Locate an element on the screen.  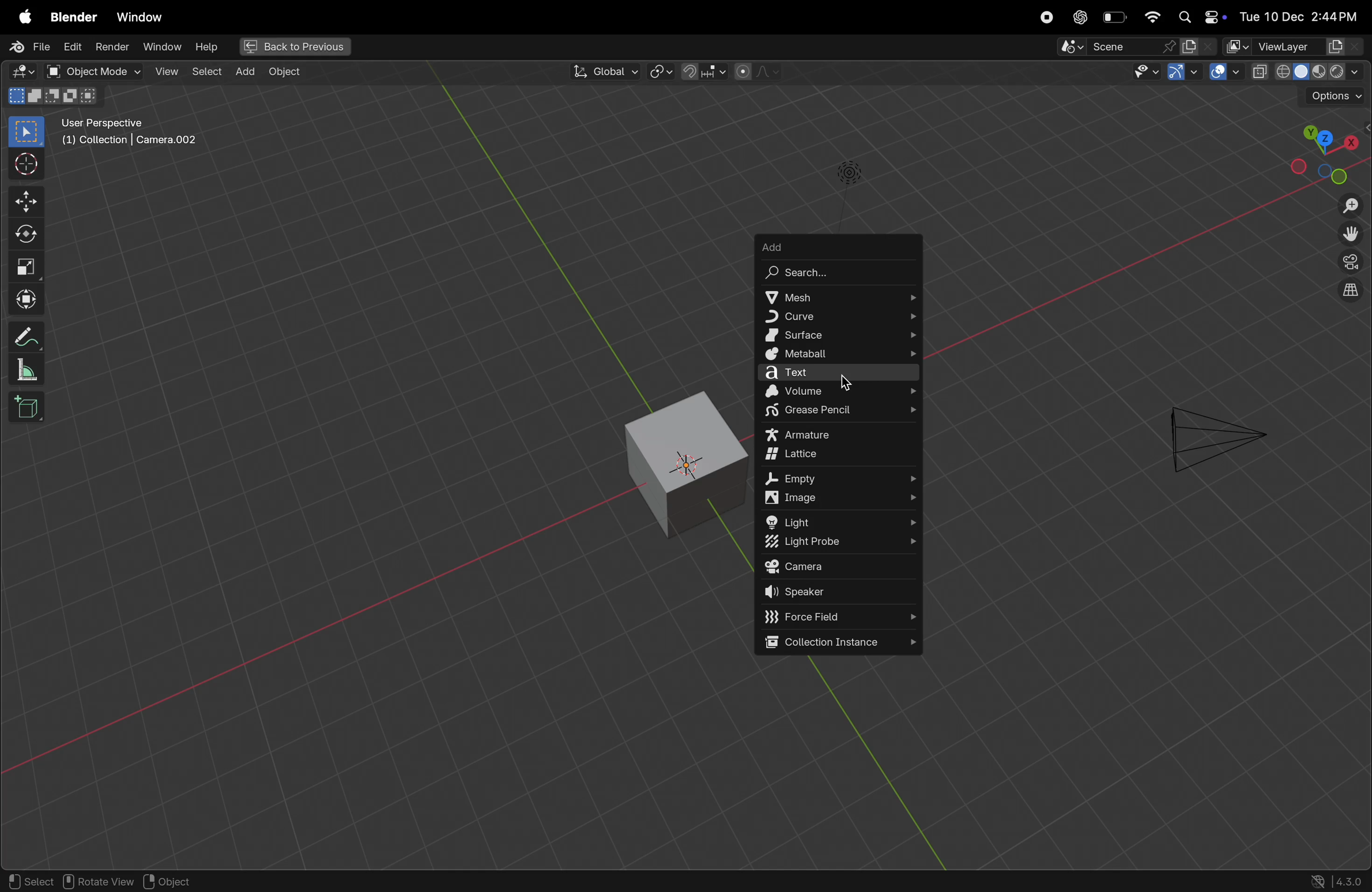
add is located at coordinates (244, 71).